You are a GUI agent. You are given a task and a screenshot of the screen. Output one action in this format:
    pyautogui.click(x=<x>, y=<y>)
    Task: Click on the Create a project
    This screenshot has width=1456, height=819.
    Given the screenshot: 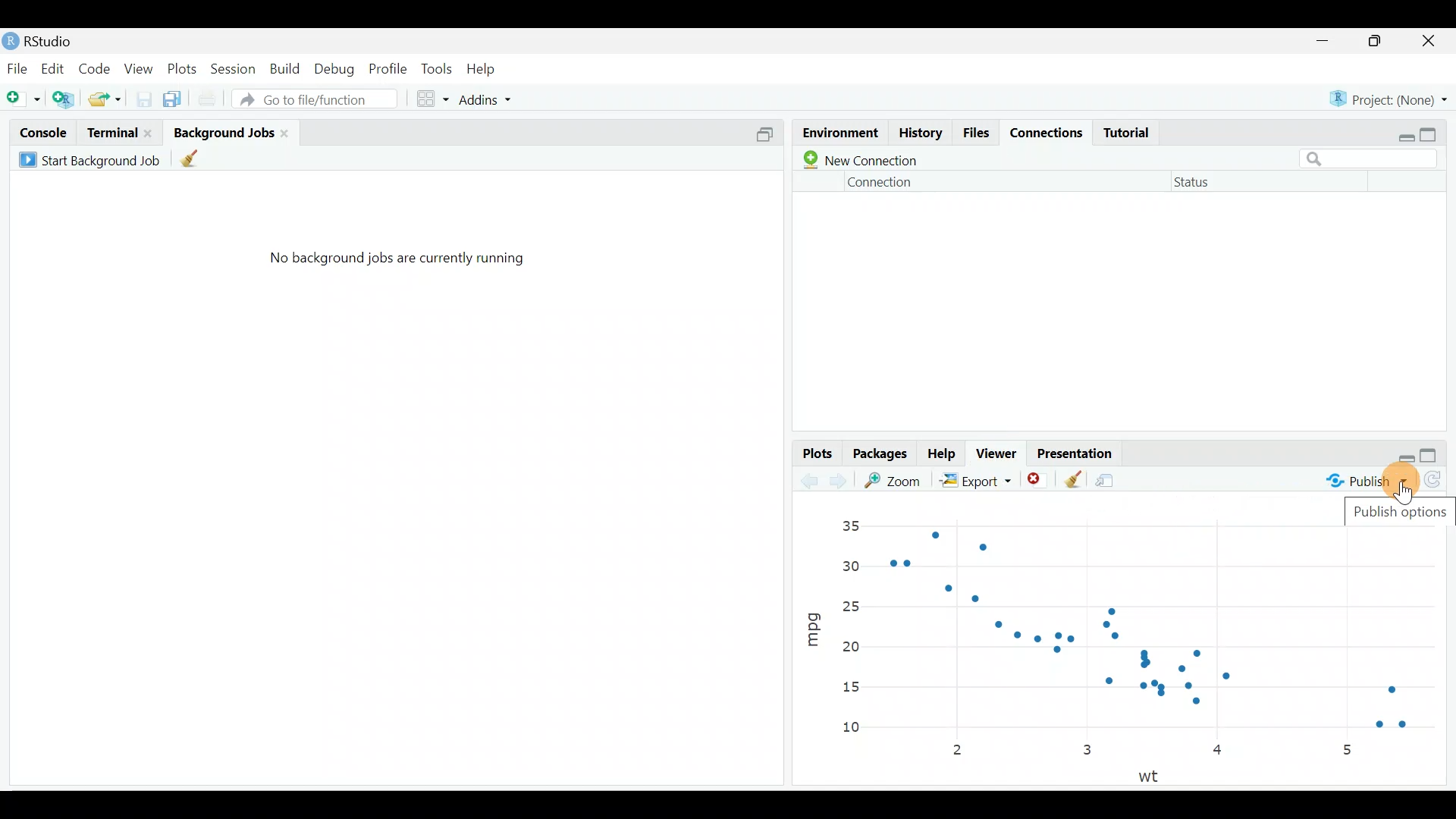 What is the action you would take?
    pyautogui.click(x=64, y=96)
    